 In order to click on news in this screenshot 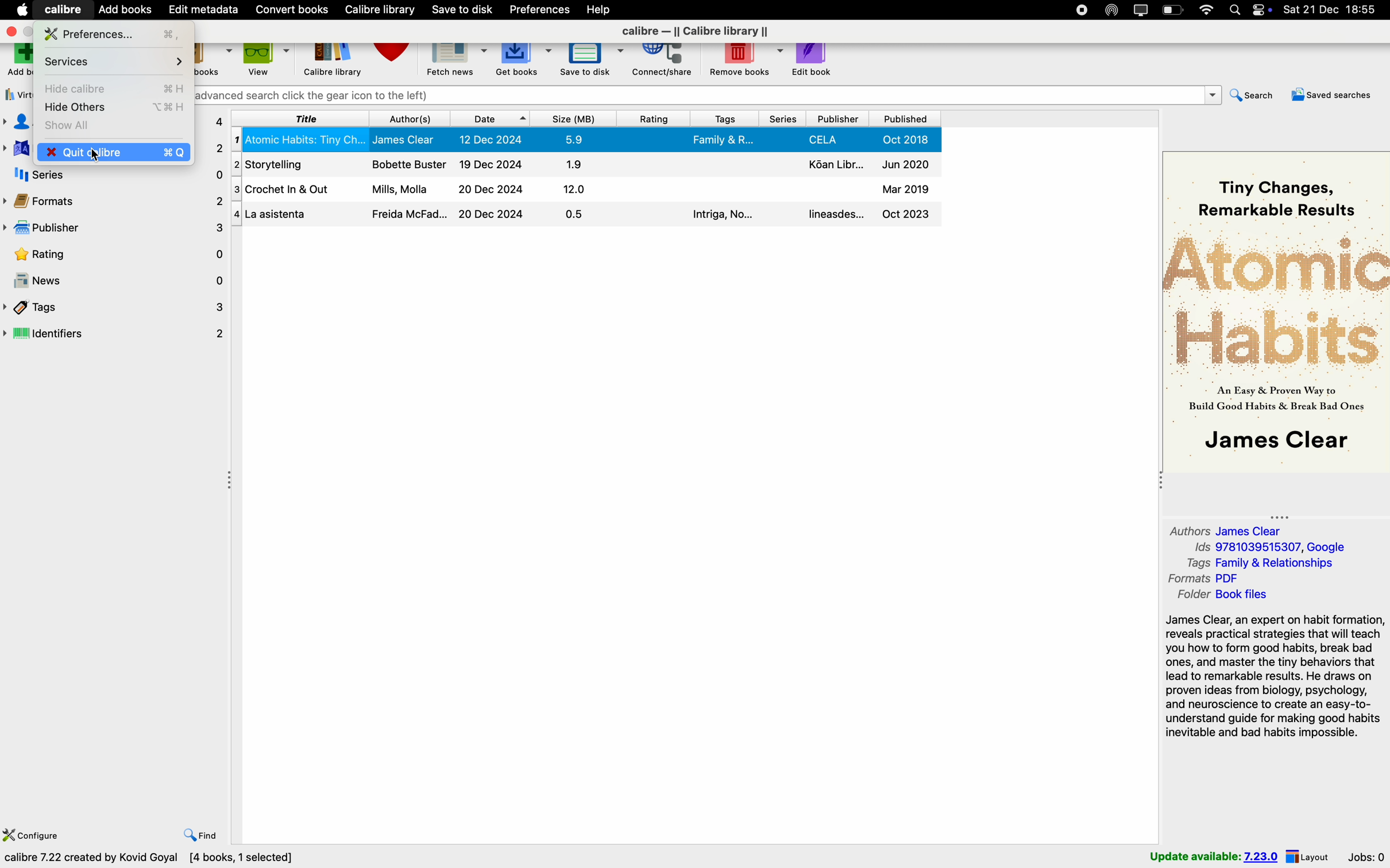, I will do `click(113, 280)`.